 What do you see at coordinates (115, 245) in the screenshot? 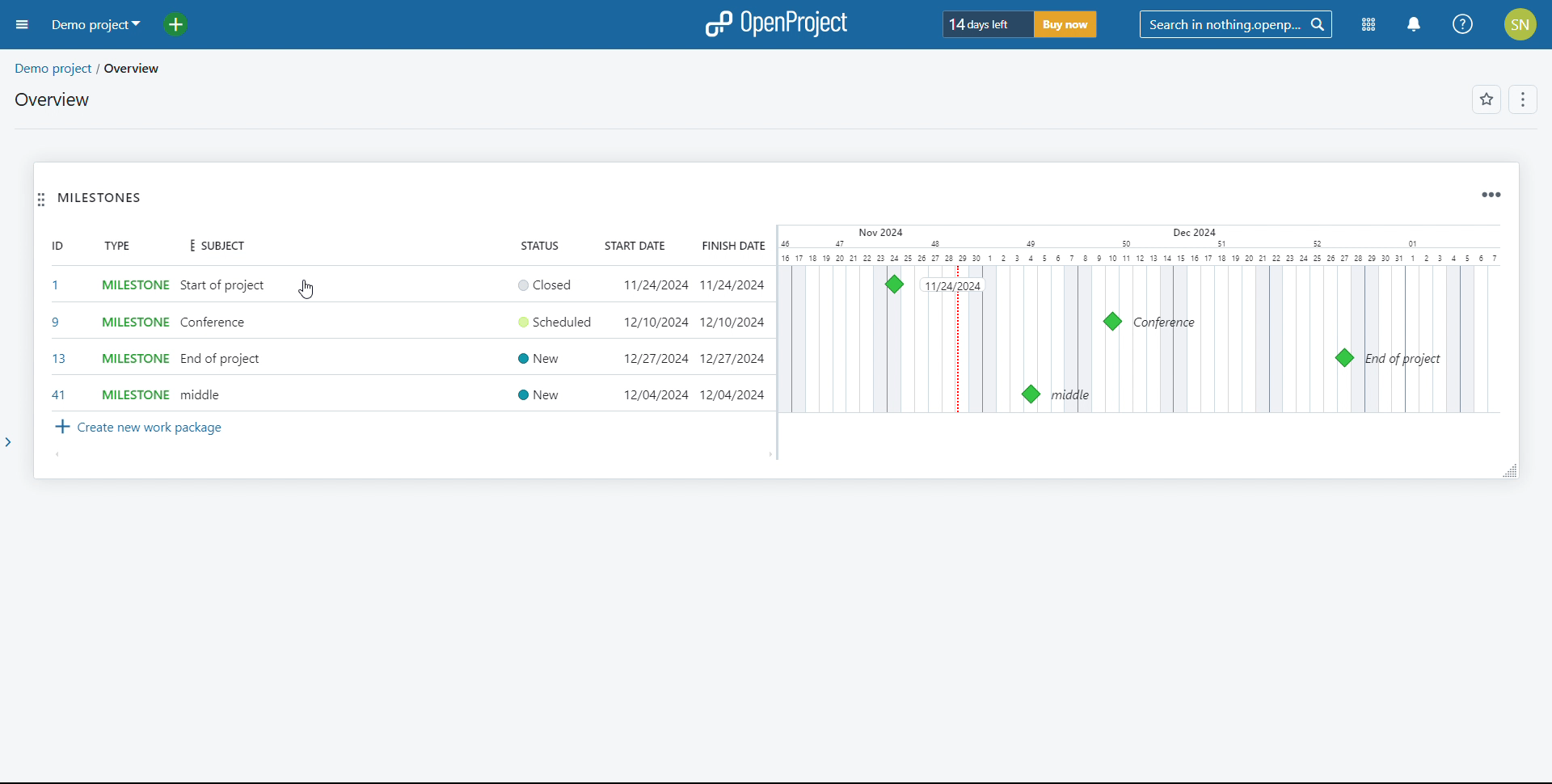
I see `type` at bounding box center [115, 245].